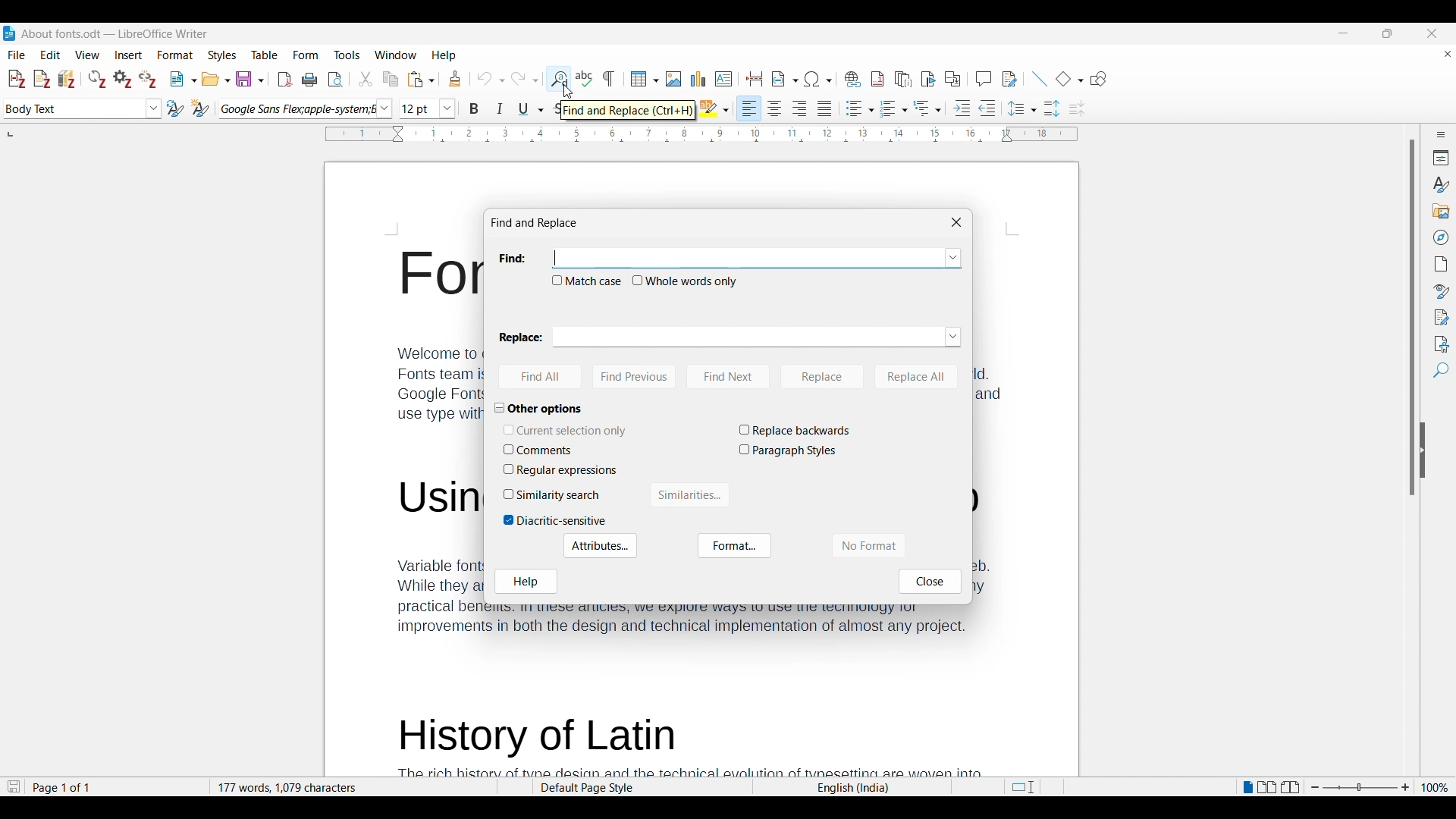 The height and width of the screenshot is (819, 1456). What do you see at coordinates (391, 79) in the screenshot?
I see `Copy` at bounding box center [391, 79].